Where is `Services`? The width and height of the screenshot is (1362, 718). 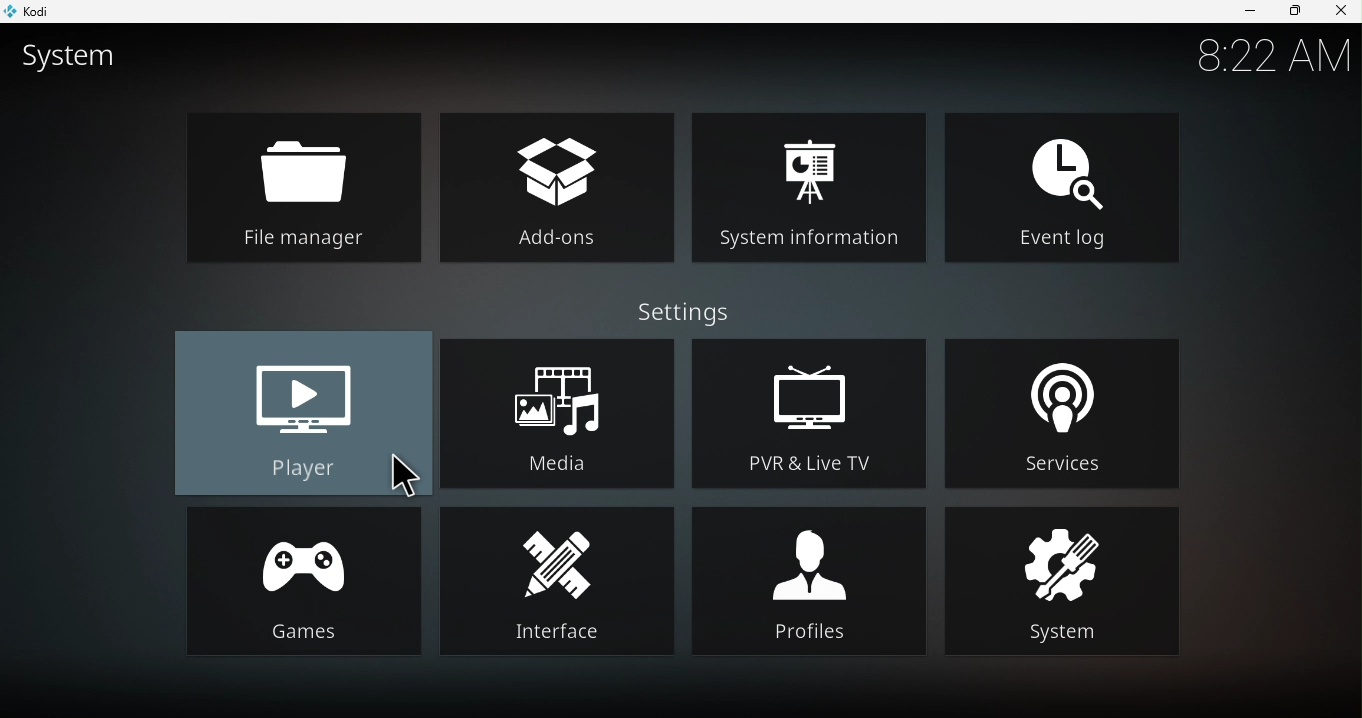
Services is located at coordinates (1072, 411).